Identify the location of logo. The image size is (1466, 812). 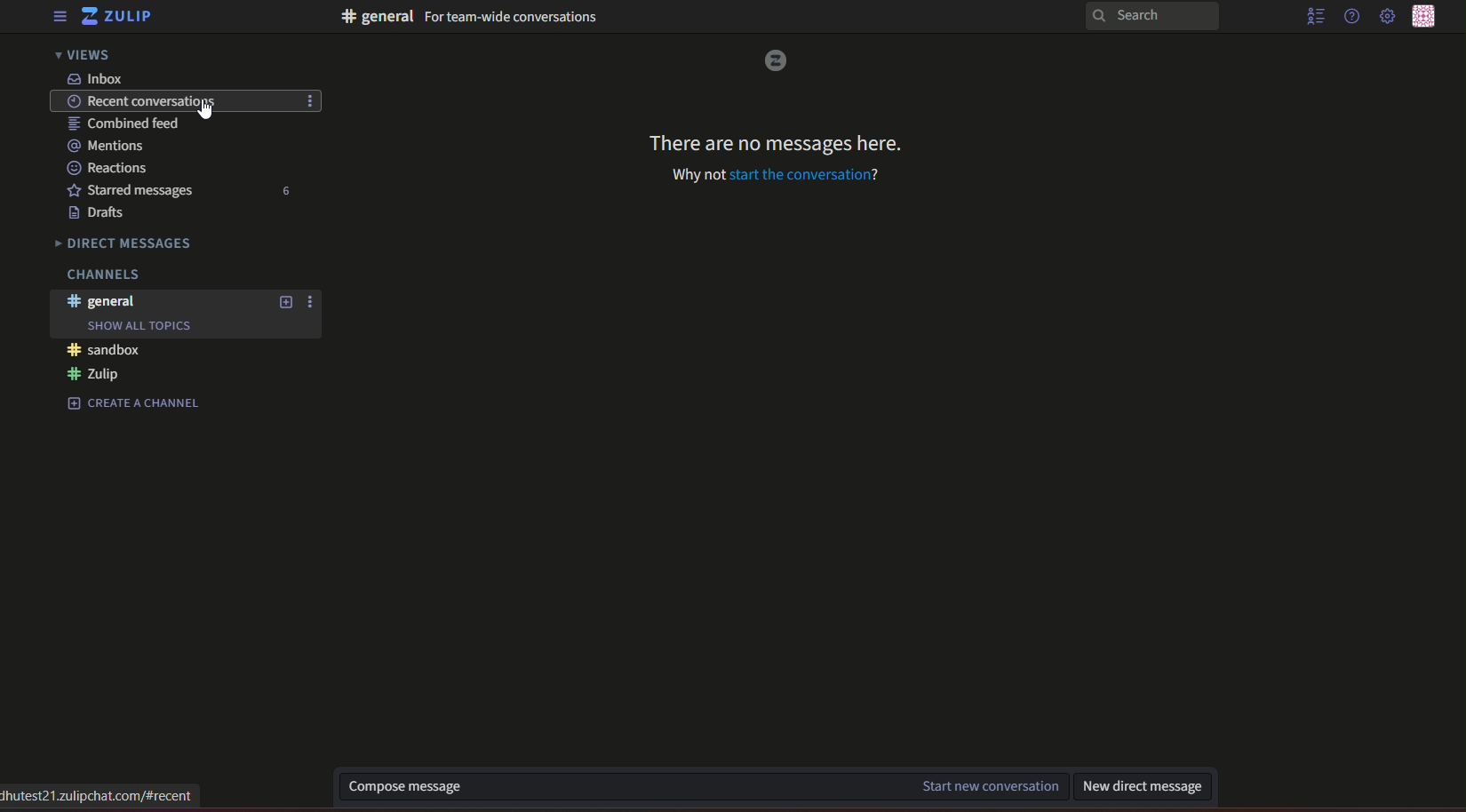
(778, 60).